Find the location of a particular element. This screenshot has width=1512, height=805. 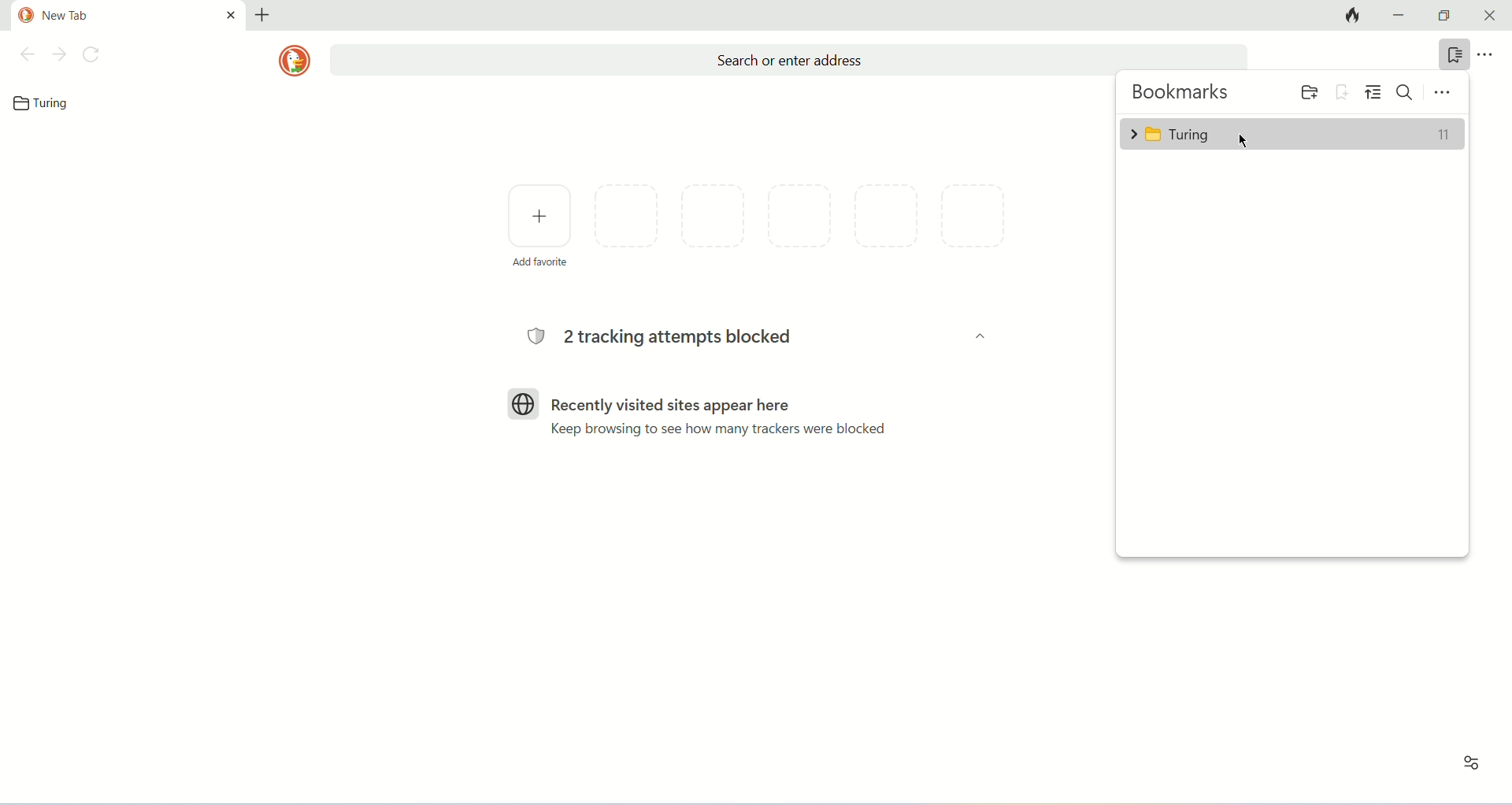

Logo is located at coordinates (524, 402).